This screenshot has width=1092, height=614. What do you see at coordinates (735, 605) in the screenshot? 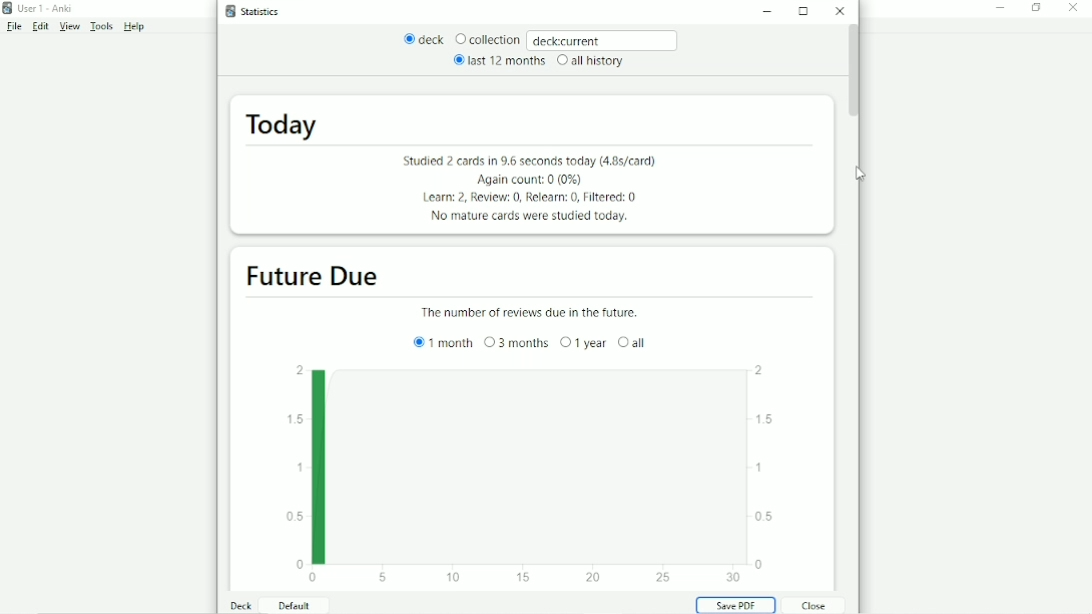
I see `Save PDF` at bounding box center [735, 605].